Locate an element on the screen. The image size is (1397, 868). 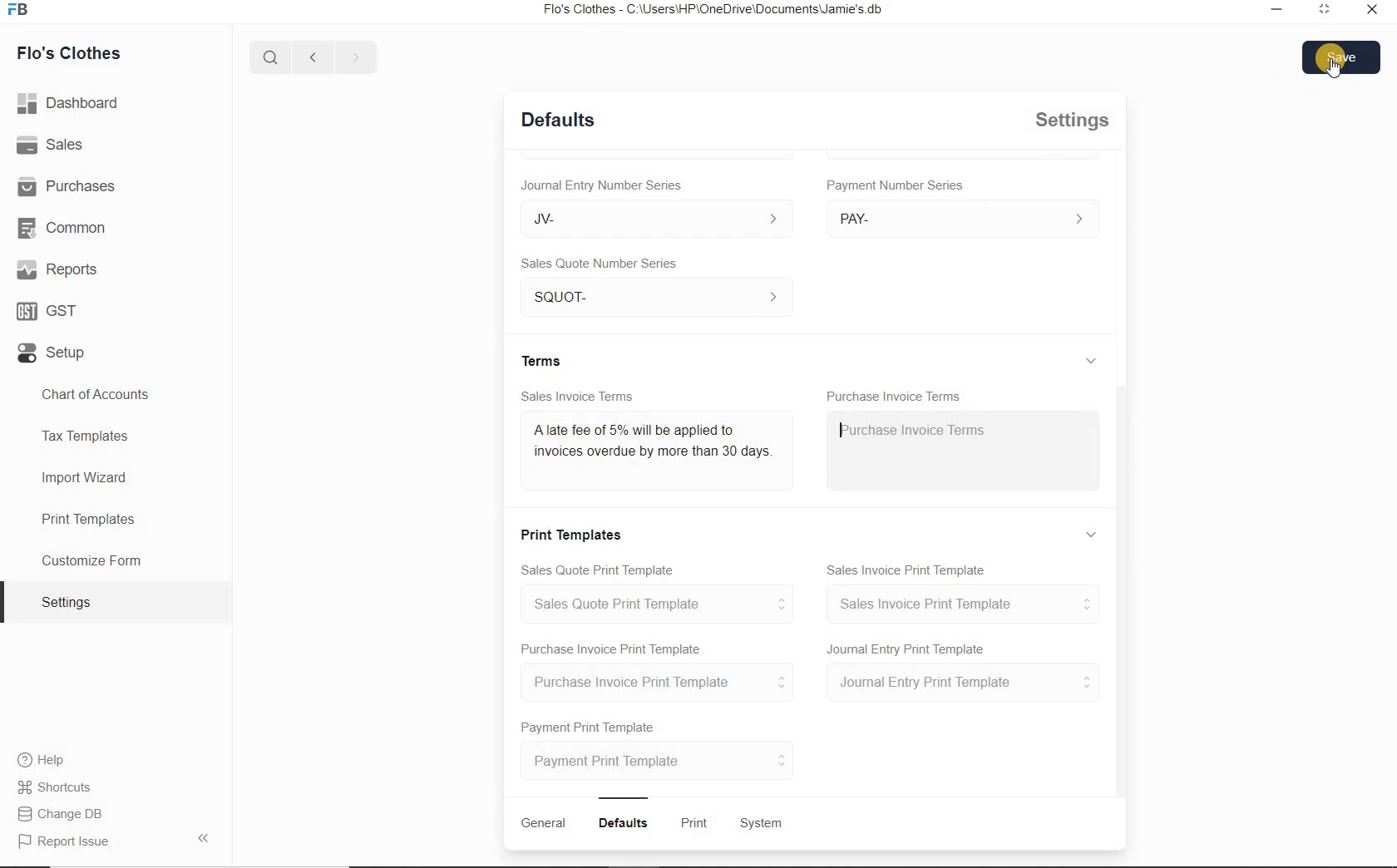
Cursor is located at coordinates (1334, 69).